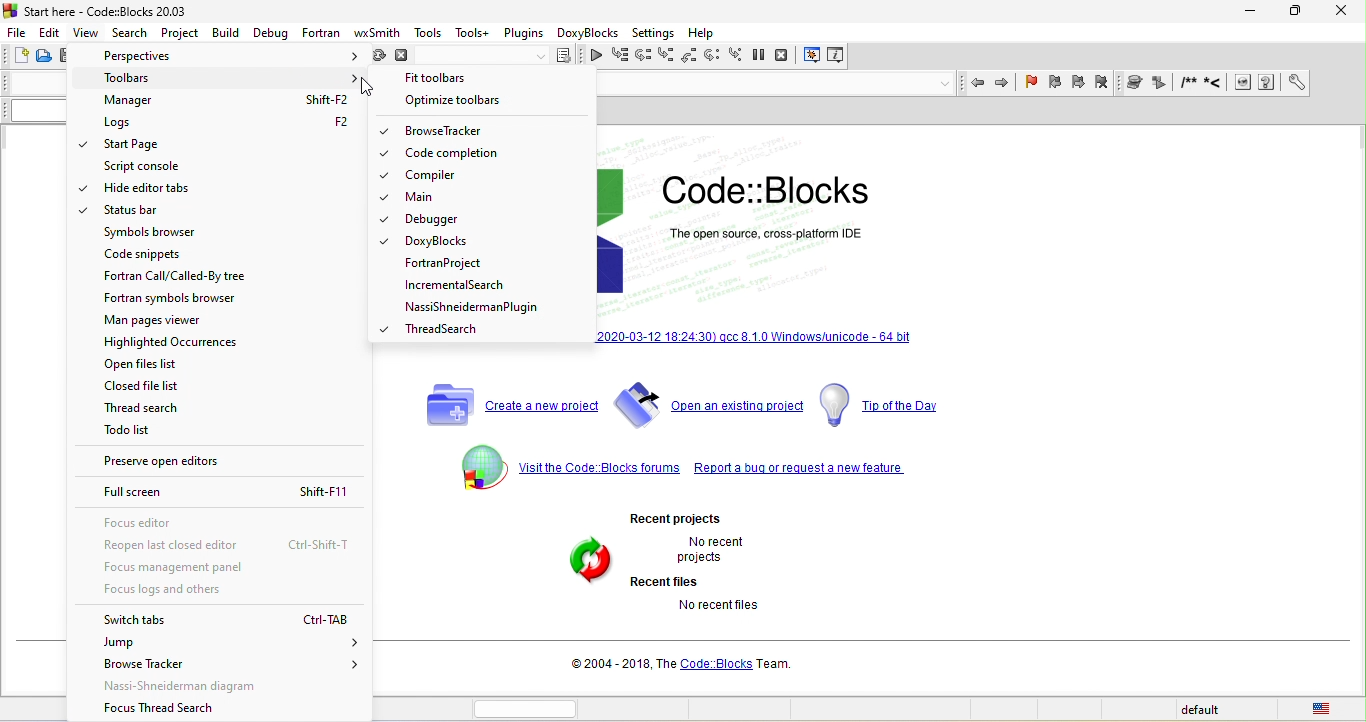  What do you see at coordinates (883, 404) in the screenshot?
I see `tip of the day` at bounding box center [883, 404].